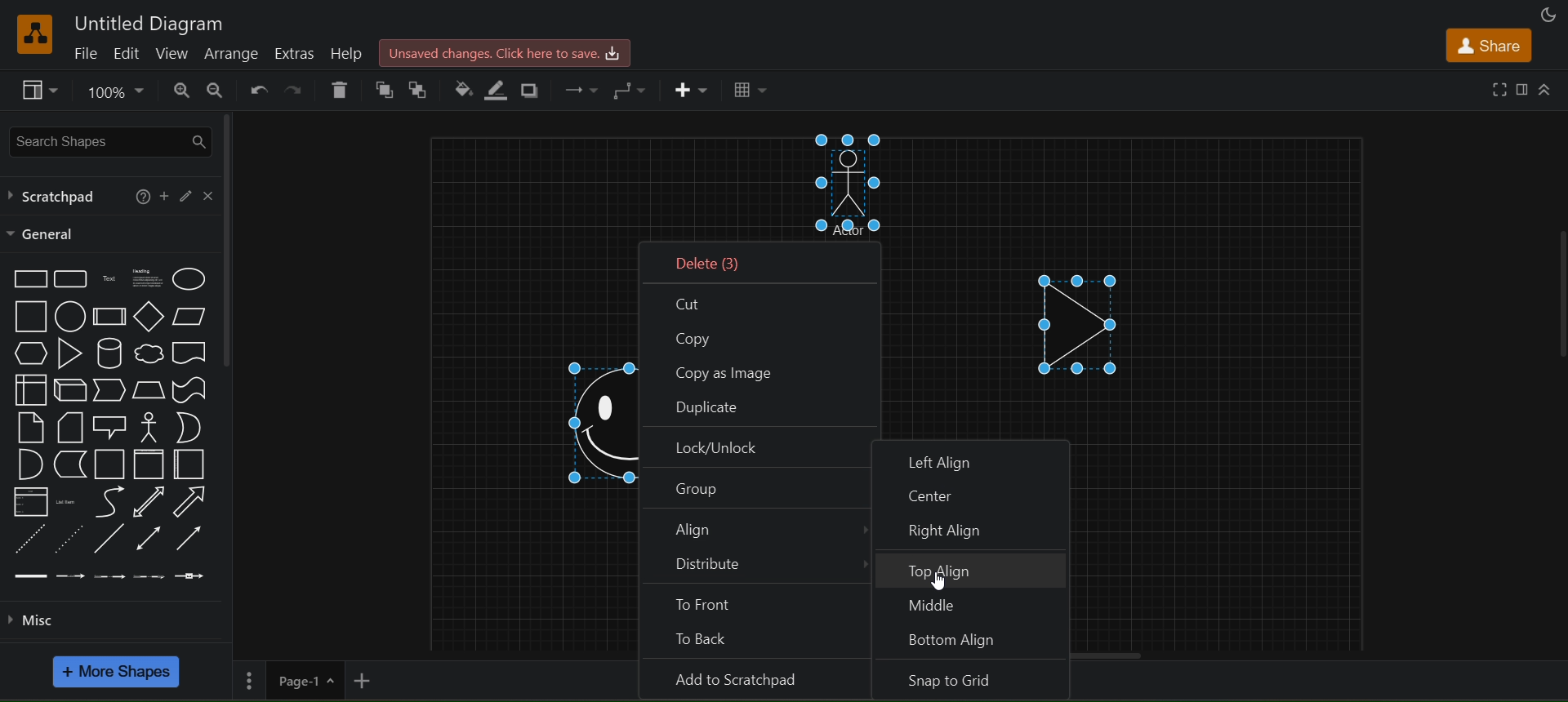  Describe the element at coordinates (69, 314) in the screenshot. I see `circle` at that location.